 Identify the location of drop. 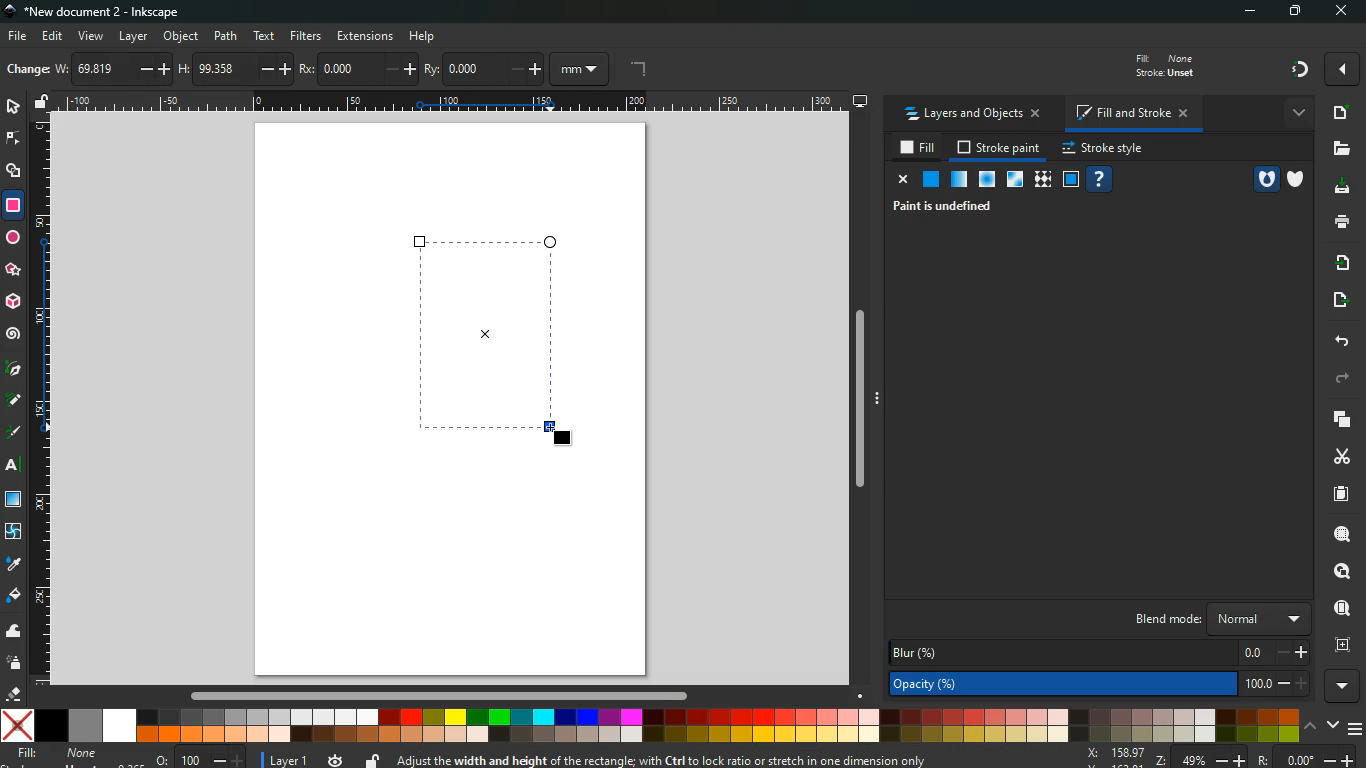
(13, 567).